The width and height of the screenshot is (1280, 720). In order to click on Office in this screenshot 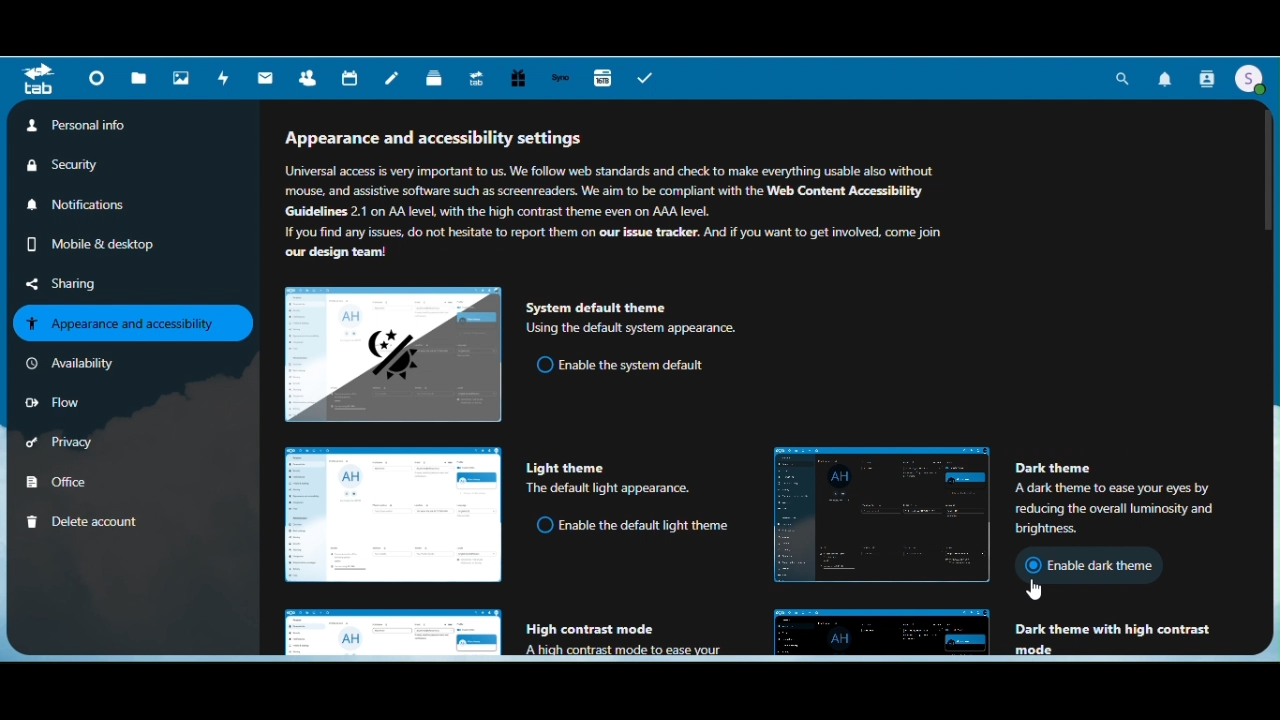, I will do `click(82, 481)`.